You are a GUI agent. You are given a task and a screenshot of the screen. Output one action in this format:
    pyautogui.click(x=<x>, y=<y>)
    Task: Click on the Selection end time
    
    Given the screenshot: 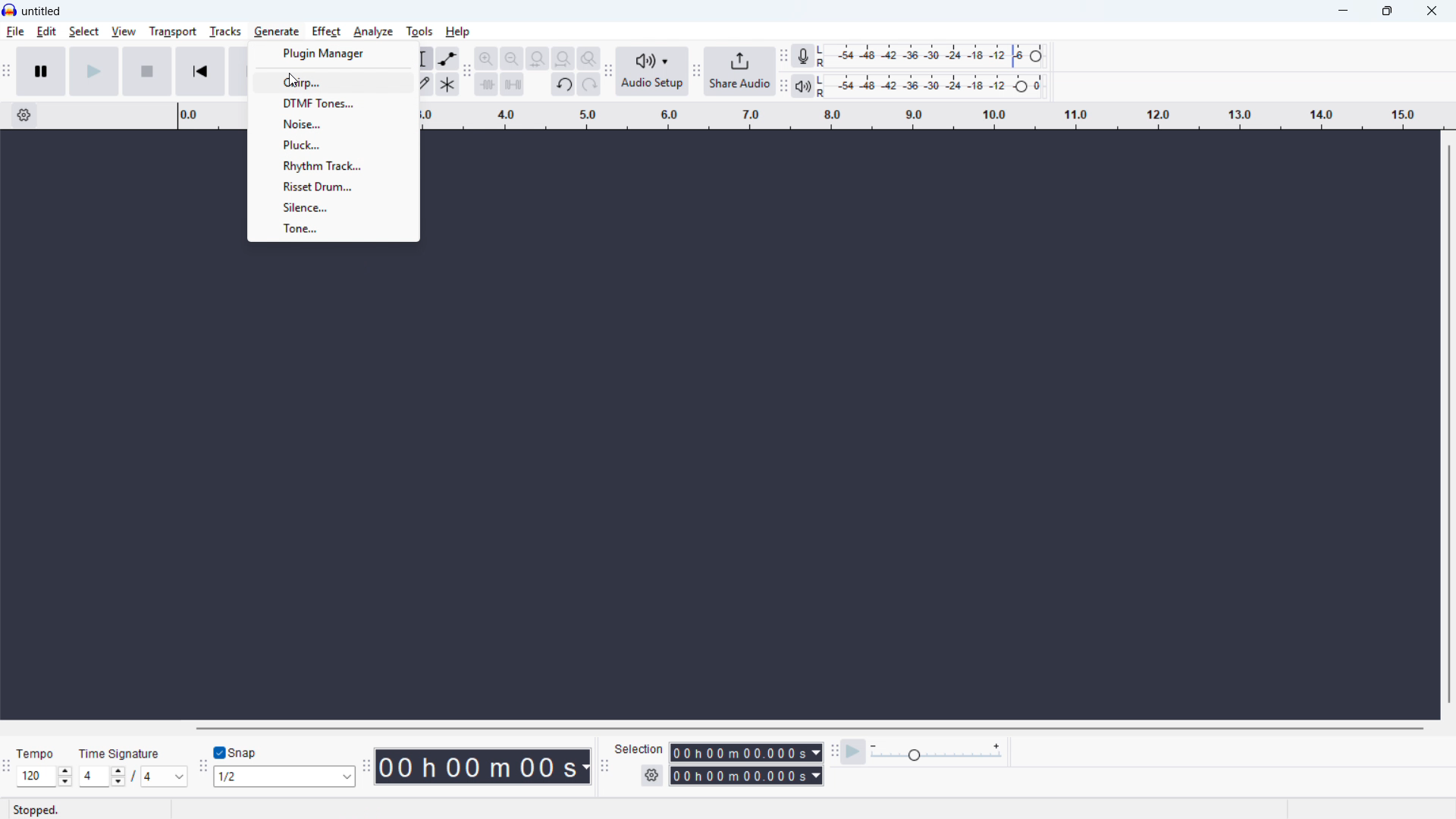 What is the action you would take?
    pyautogui.click(x=746, y=776)
    